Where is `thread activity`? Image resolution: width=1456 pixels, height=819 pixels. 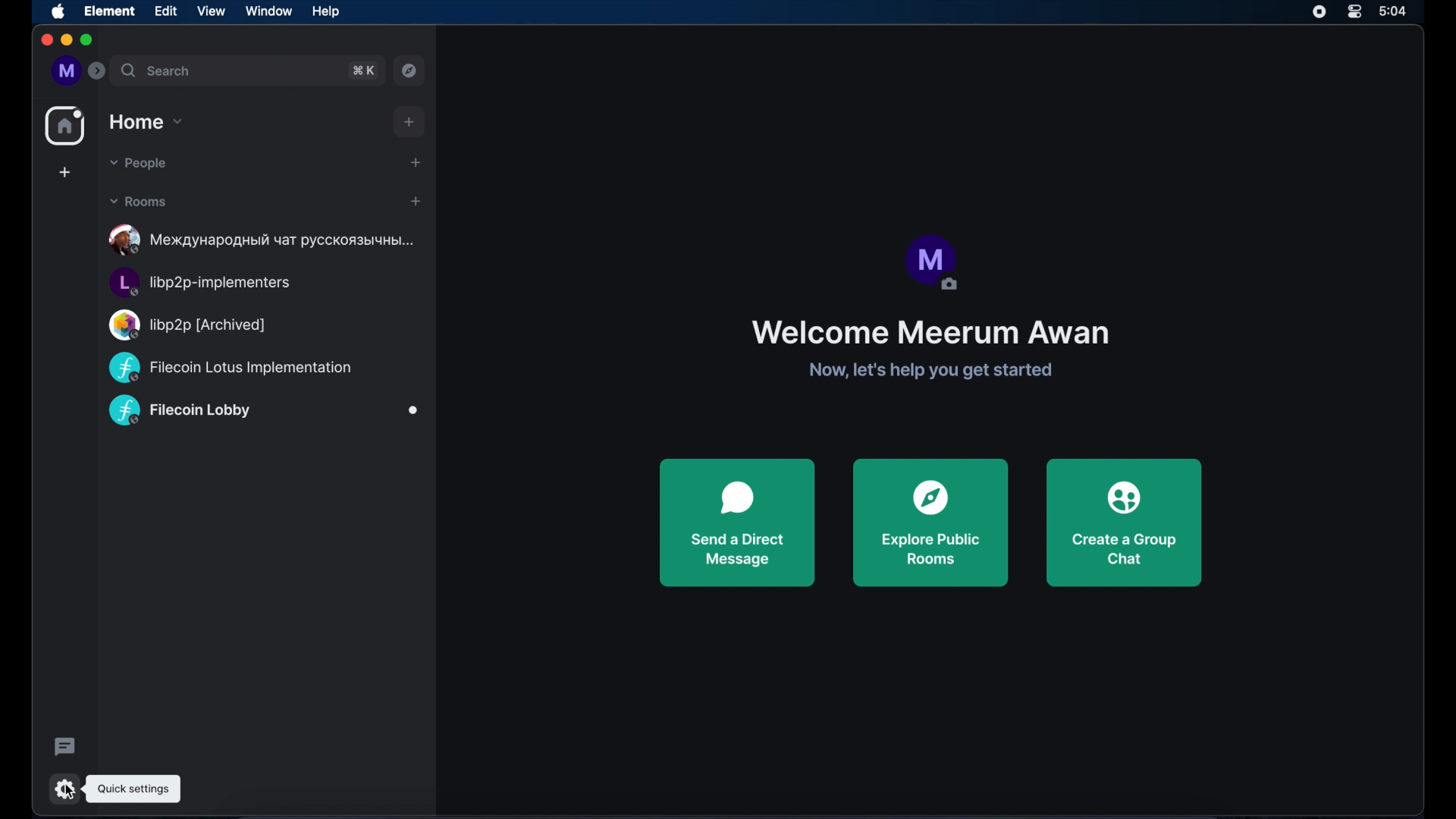
thread activity is located at coordinates (66, 748).